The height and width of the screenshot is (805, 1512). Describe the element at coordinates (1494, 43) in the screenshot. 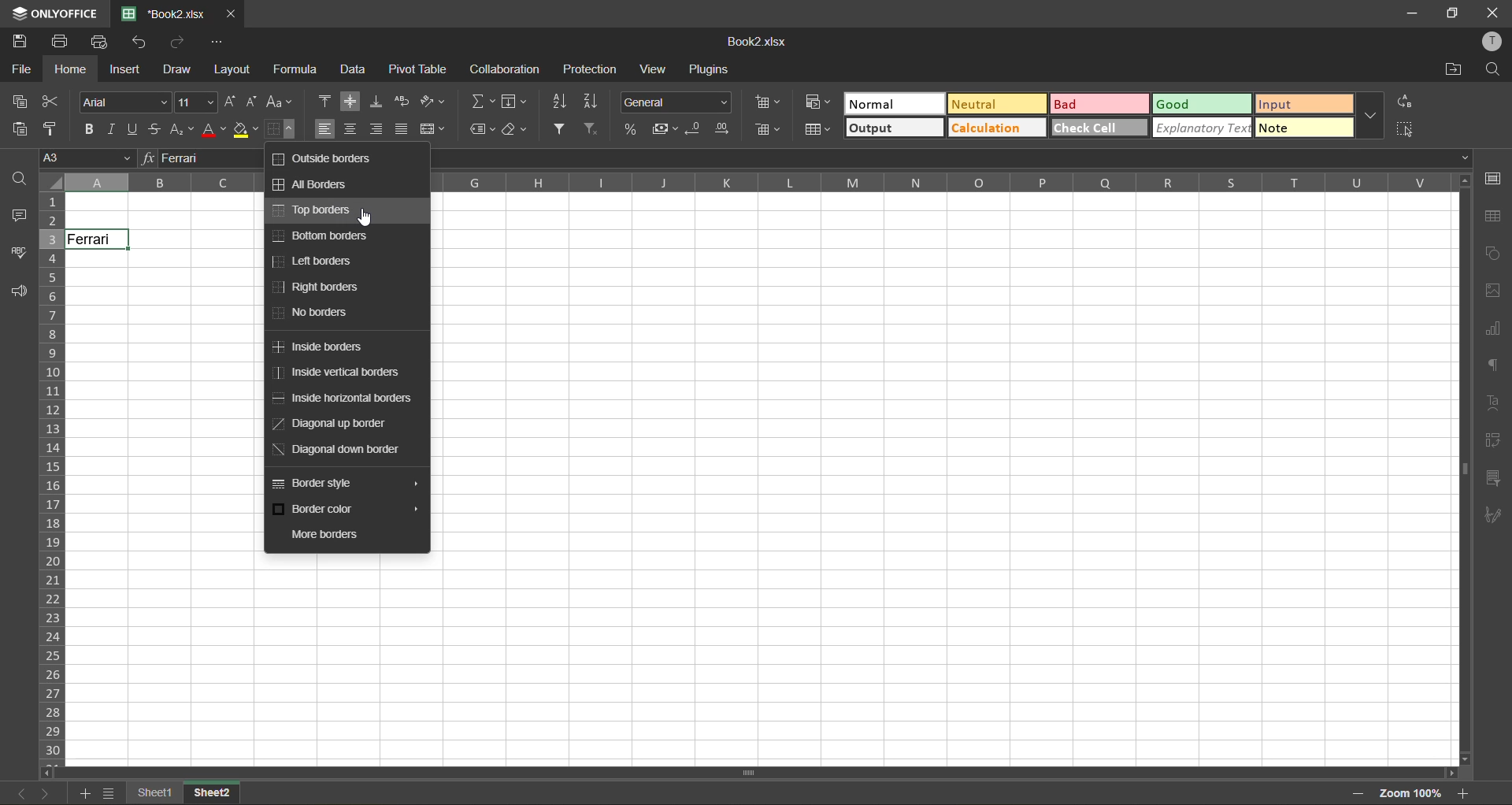

I see `profile` at that location.